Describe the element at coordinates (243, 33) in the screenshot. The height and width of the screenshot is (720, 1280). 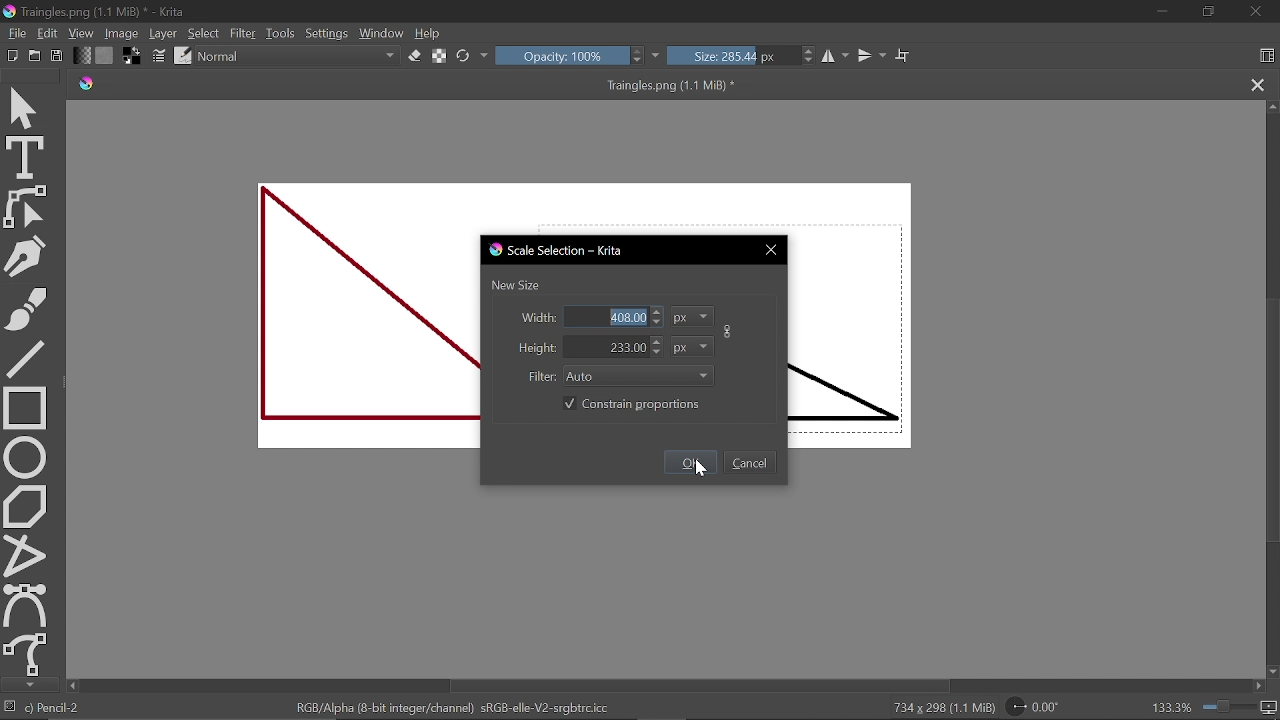
I see `Filter` at that location.